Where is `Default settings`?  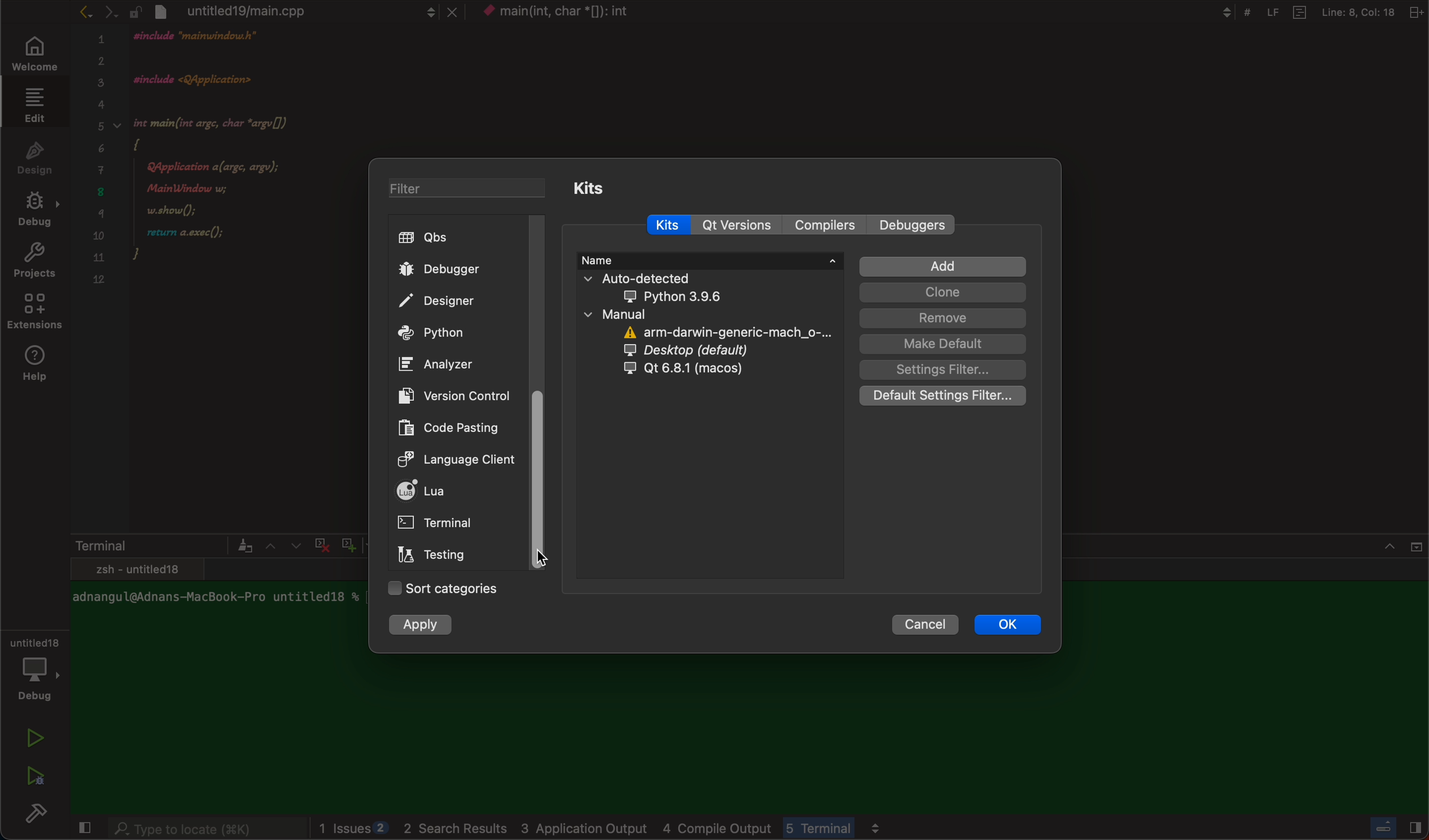 Default settings is located at coordinates (945, 396).